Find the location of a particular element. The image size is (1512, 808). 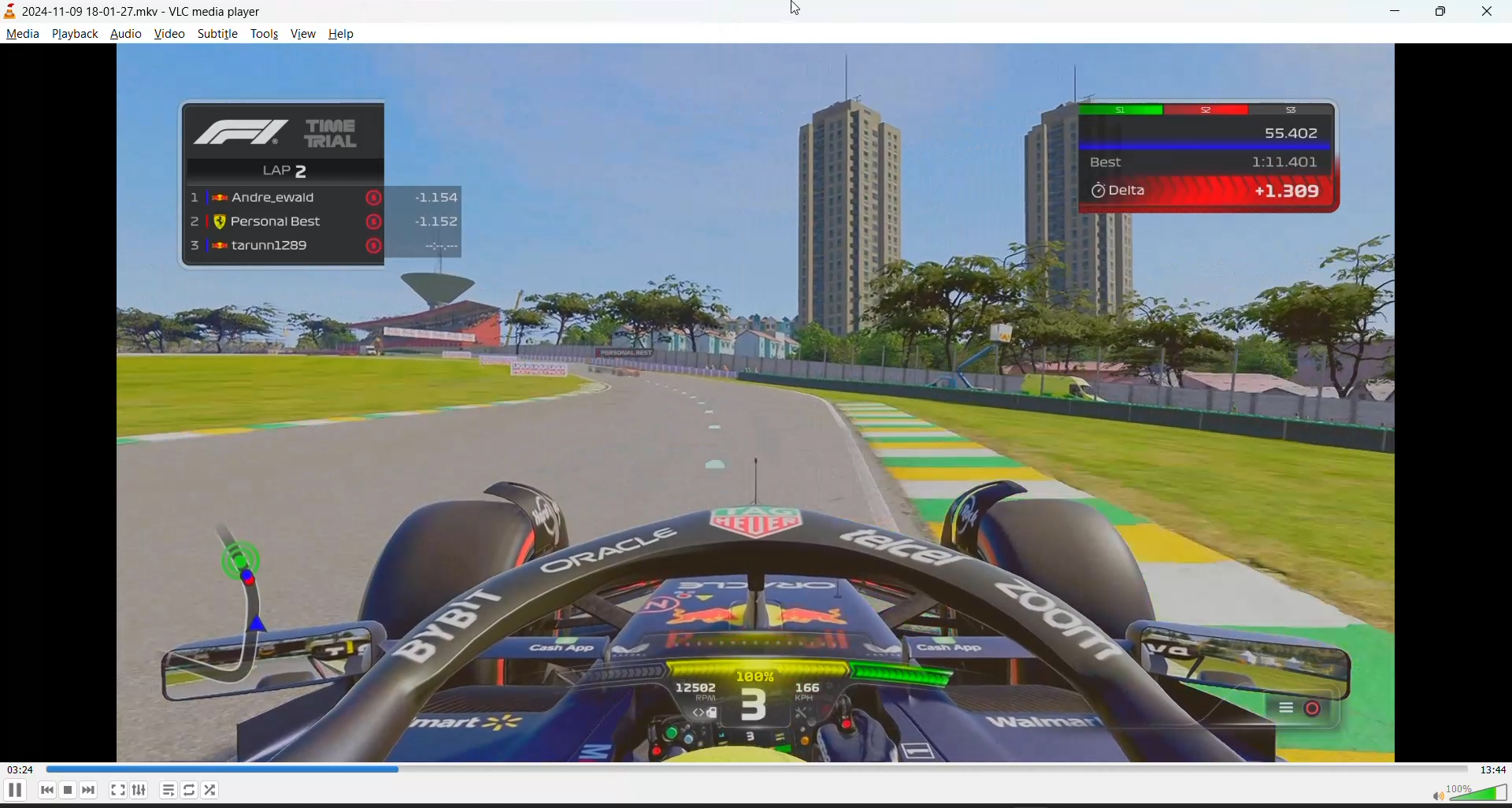

cursor is located at coordinates (796, 10).